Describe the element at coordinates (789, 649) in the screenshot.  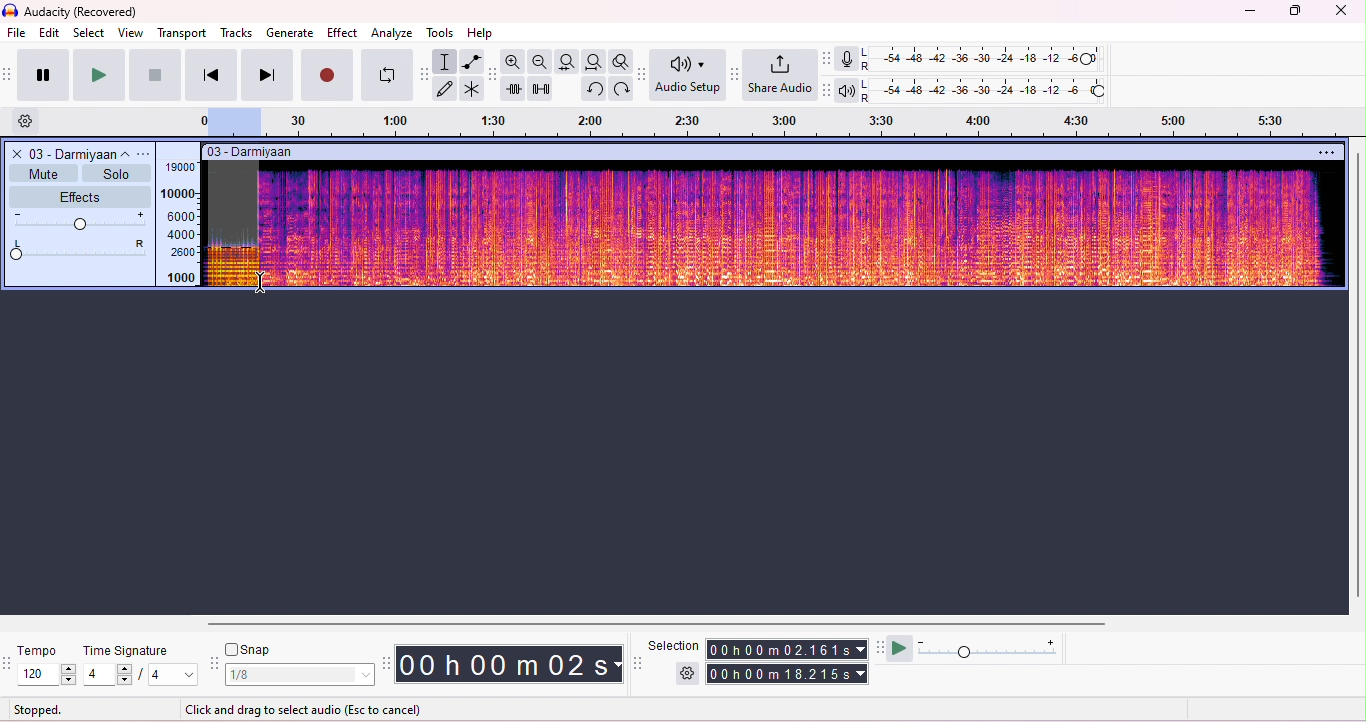
I see `selection time` at that location.